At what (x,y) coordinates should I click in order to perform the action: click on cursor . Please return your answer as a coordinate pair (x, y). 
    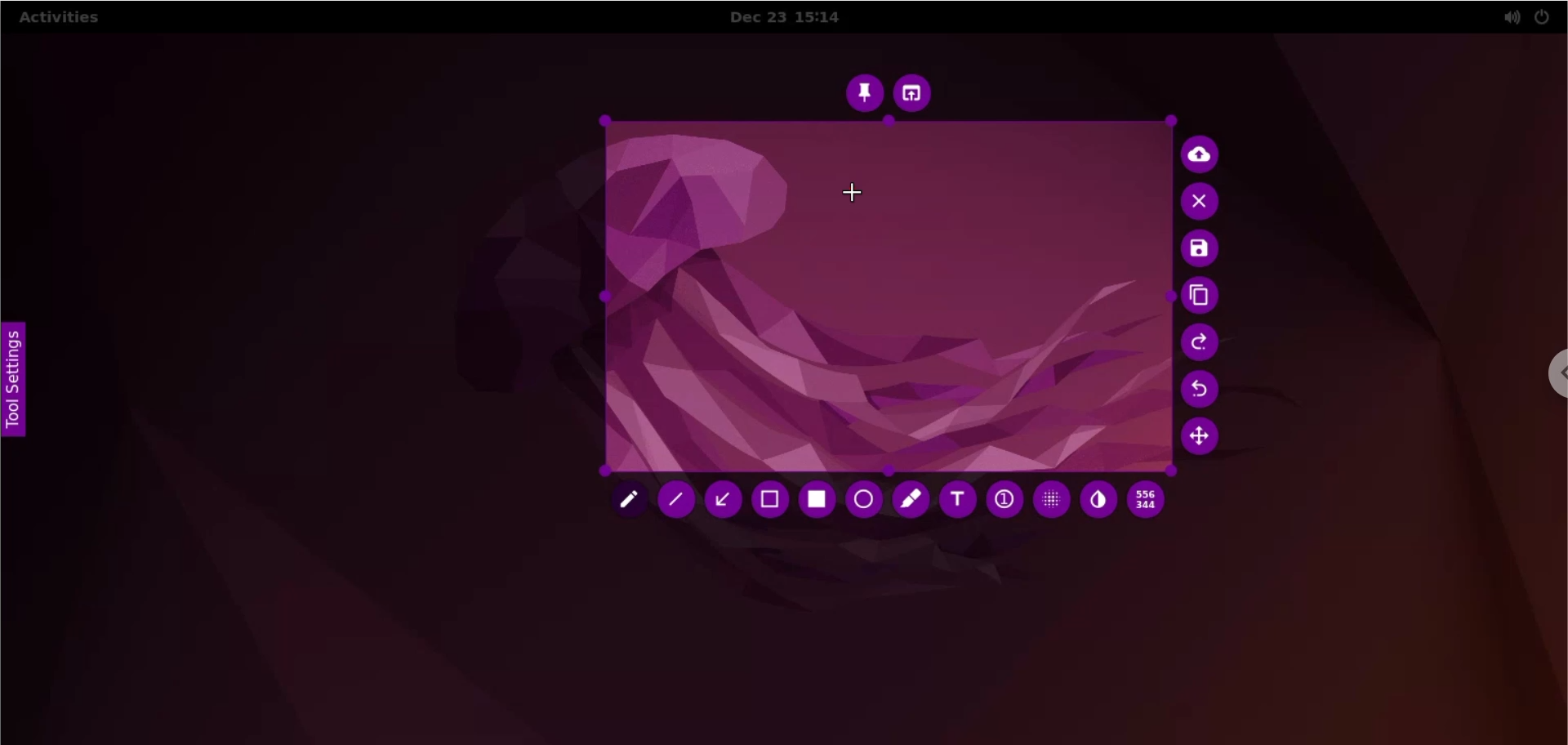
    Looking at the image, I should click on (855, 194).